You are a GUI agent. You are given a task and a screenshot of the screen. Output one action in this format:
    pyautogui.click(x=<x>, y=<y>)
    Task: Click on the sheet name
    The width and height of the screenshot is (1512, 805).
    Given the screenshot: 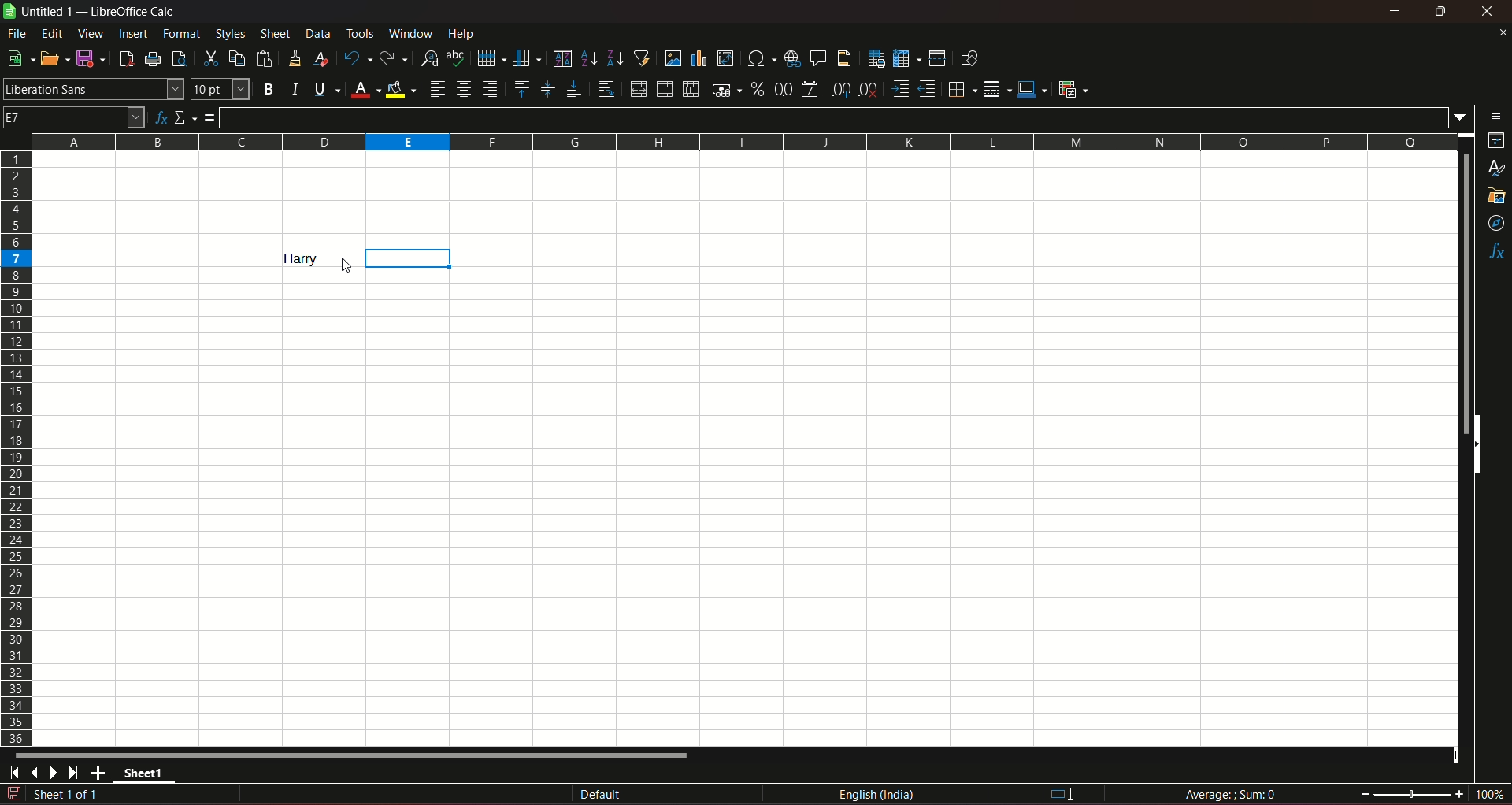 What is the action you would take?
    pyautogui.click(x=148, y=776)
    